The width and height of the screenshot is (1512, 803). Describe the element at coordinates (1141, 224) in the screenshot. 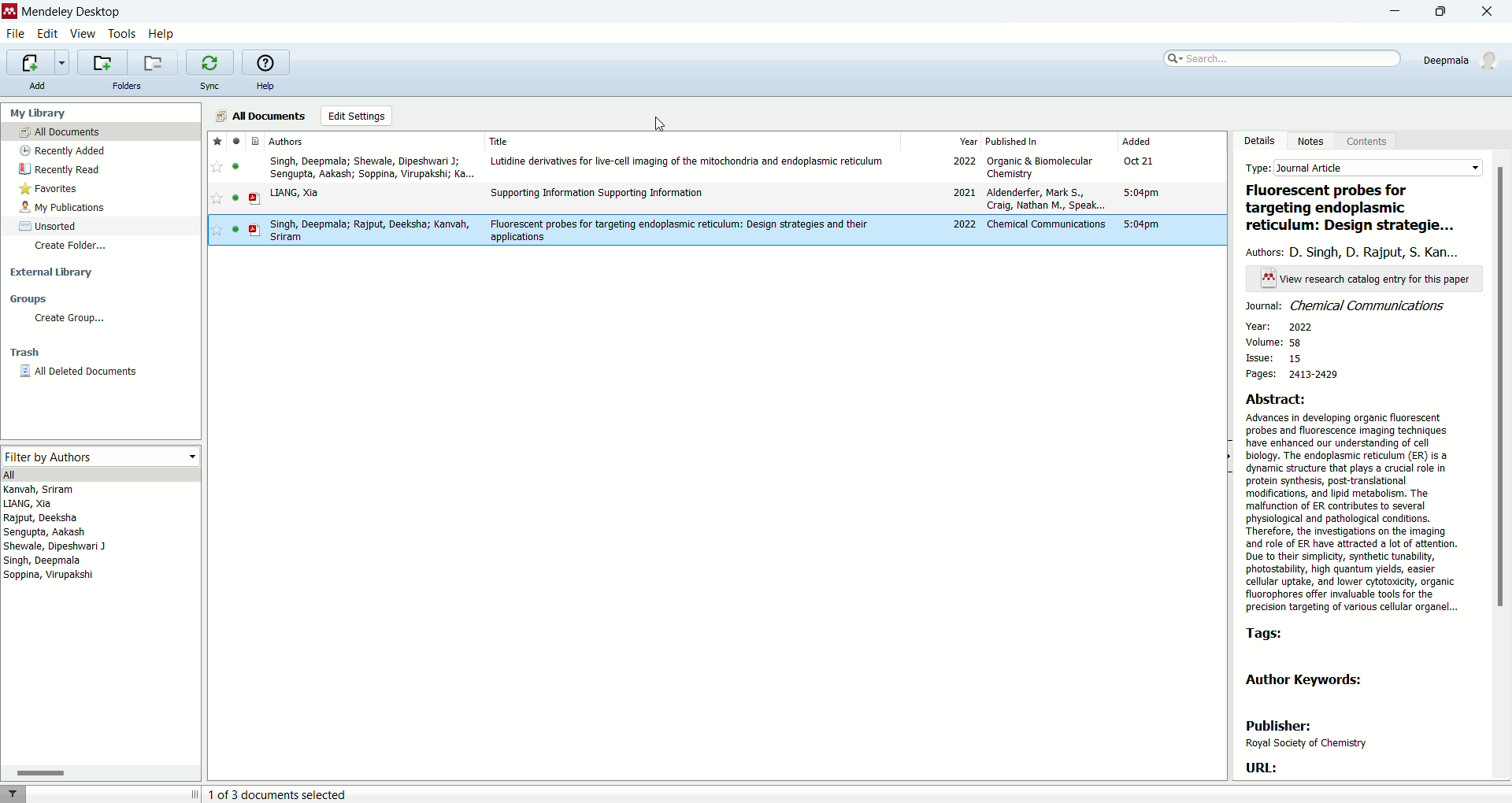

I see `5:04pm` at that location.